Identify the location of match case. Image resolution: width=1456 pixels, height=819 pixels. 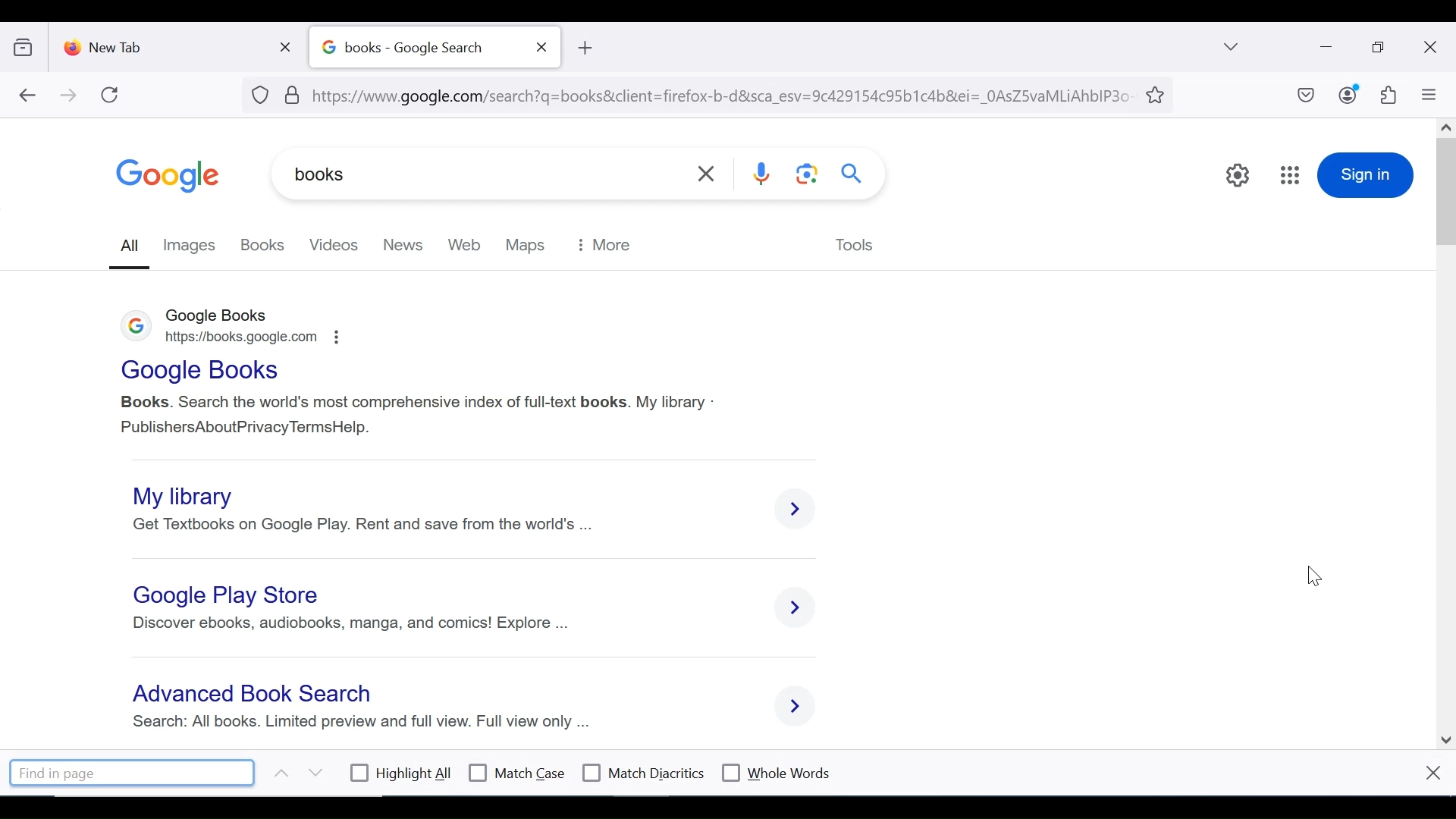
(518, 773).